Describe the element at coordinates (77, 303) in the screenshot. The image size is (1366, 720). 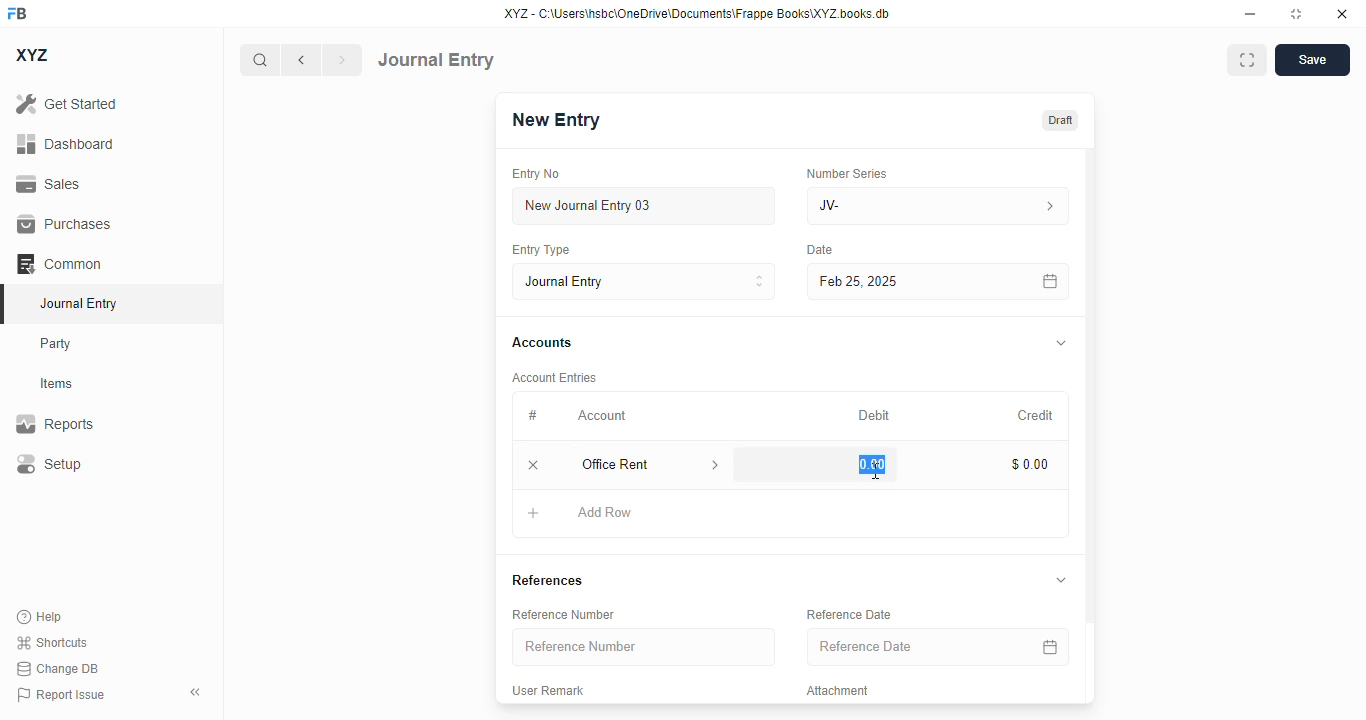
I see `journal entry` at that location.